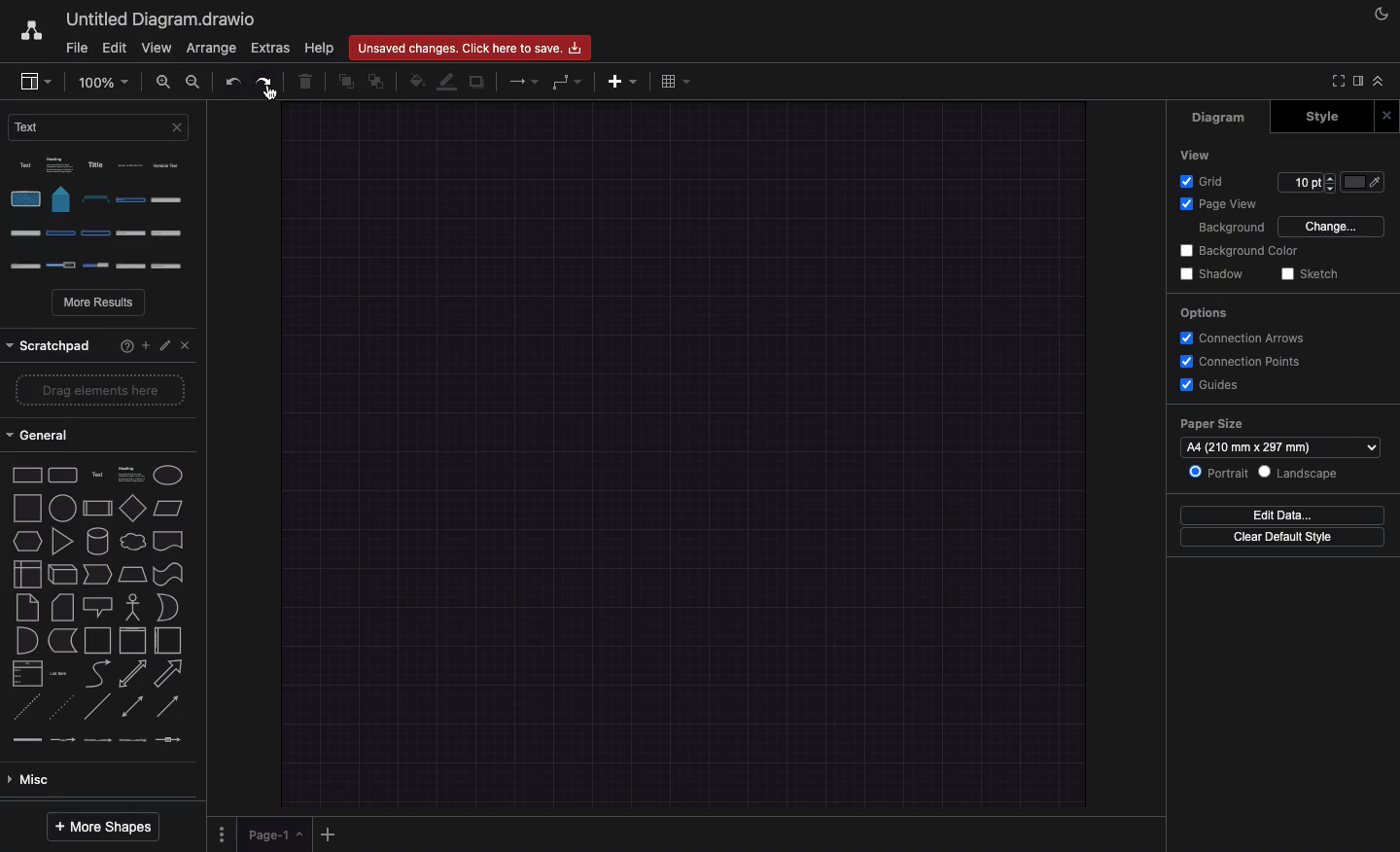  I want to click on Full screen, so click(1335, 81).